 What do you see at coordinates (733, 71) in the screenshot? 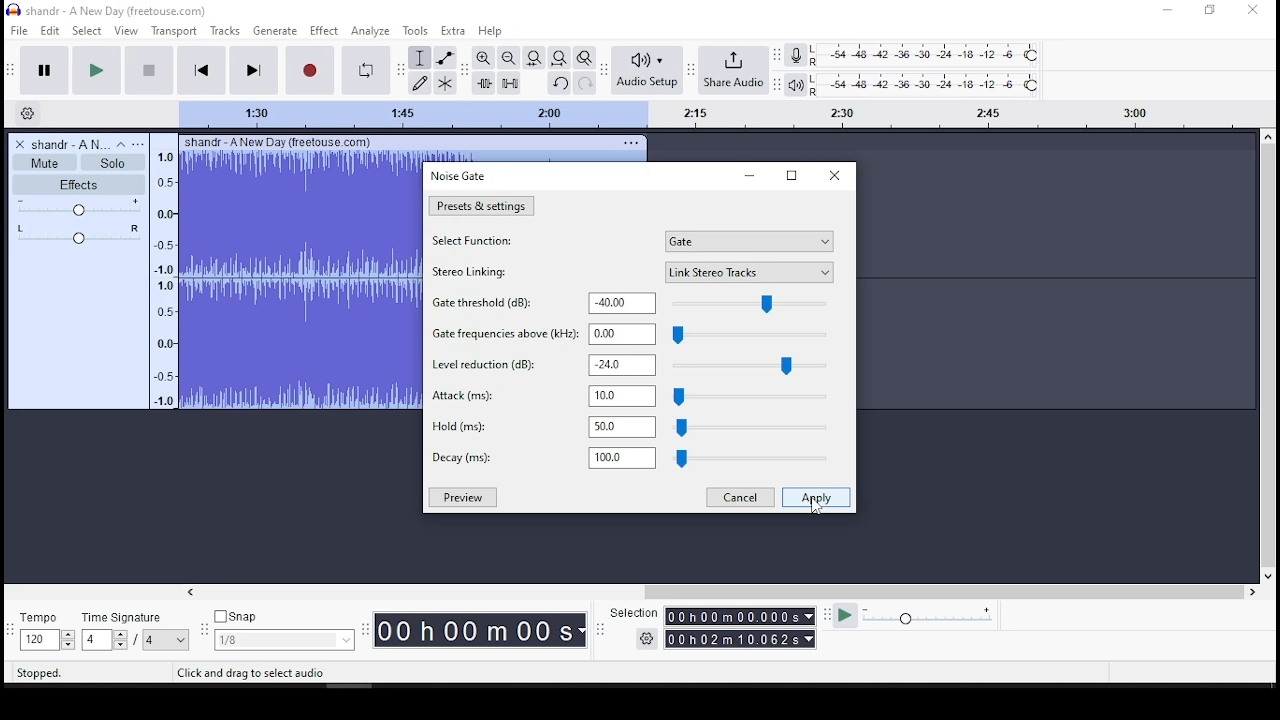
I see `share audio` at bounding box center [733, 71].